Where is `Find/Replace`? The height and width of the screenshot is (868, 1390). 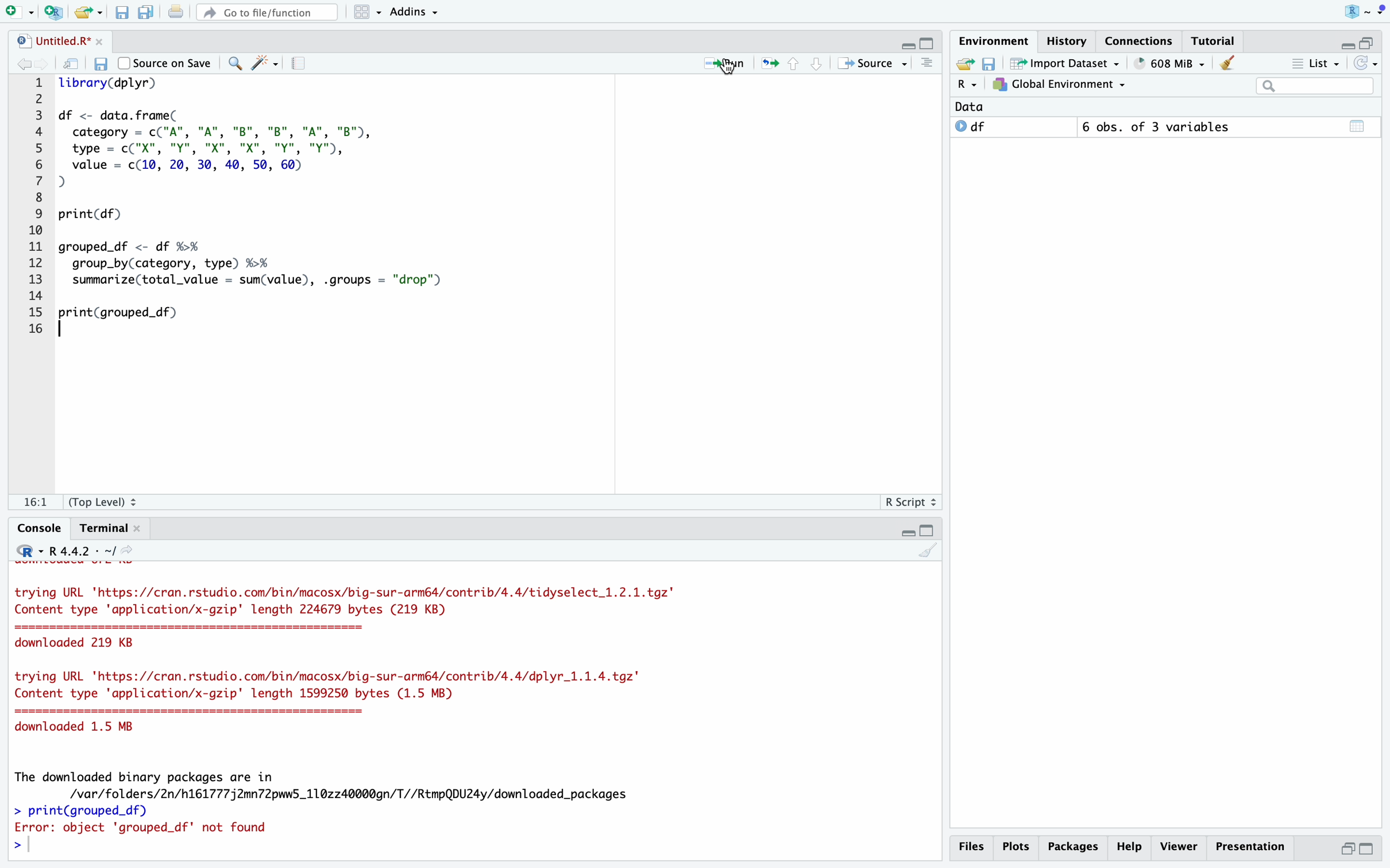 Find/Replace is located at coordinates (235, 64).